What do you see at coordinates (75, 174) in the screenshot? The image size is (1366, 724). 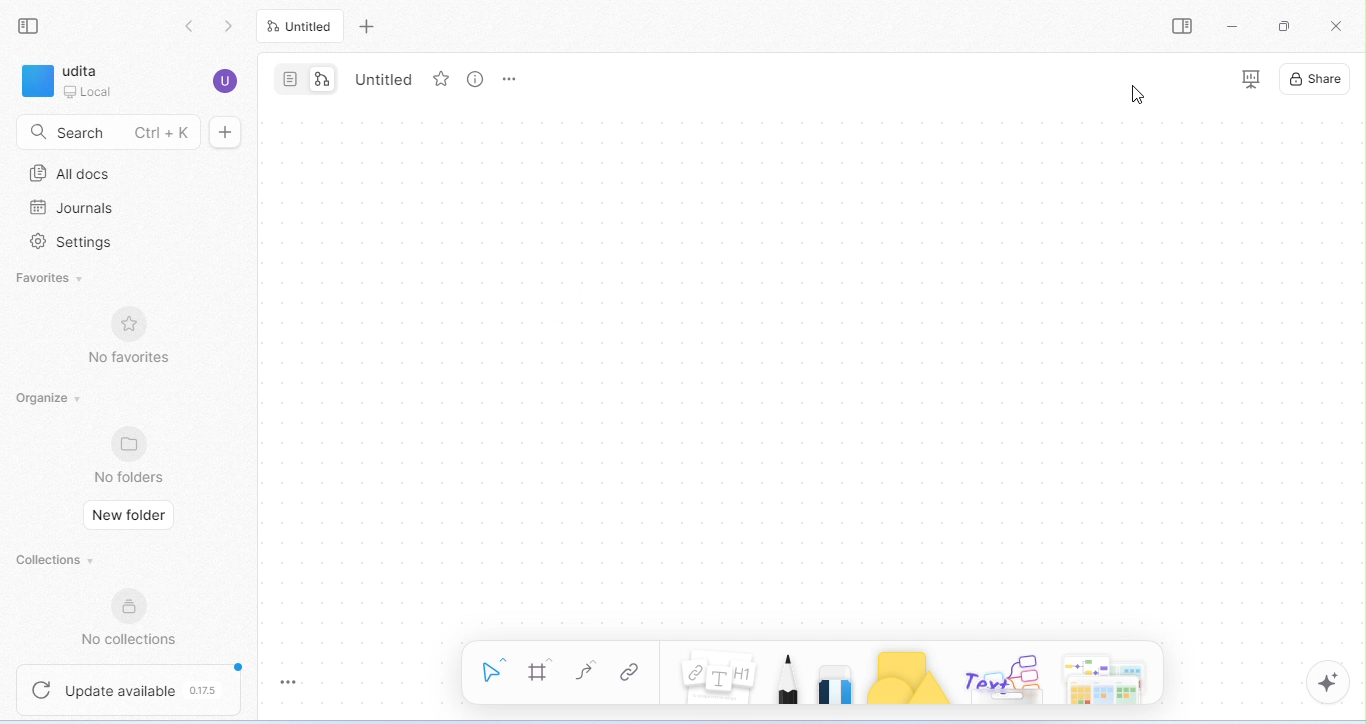 I see `all docs` at bounding box center [75, 174].